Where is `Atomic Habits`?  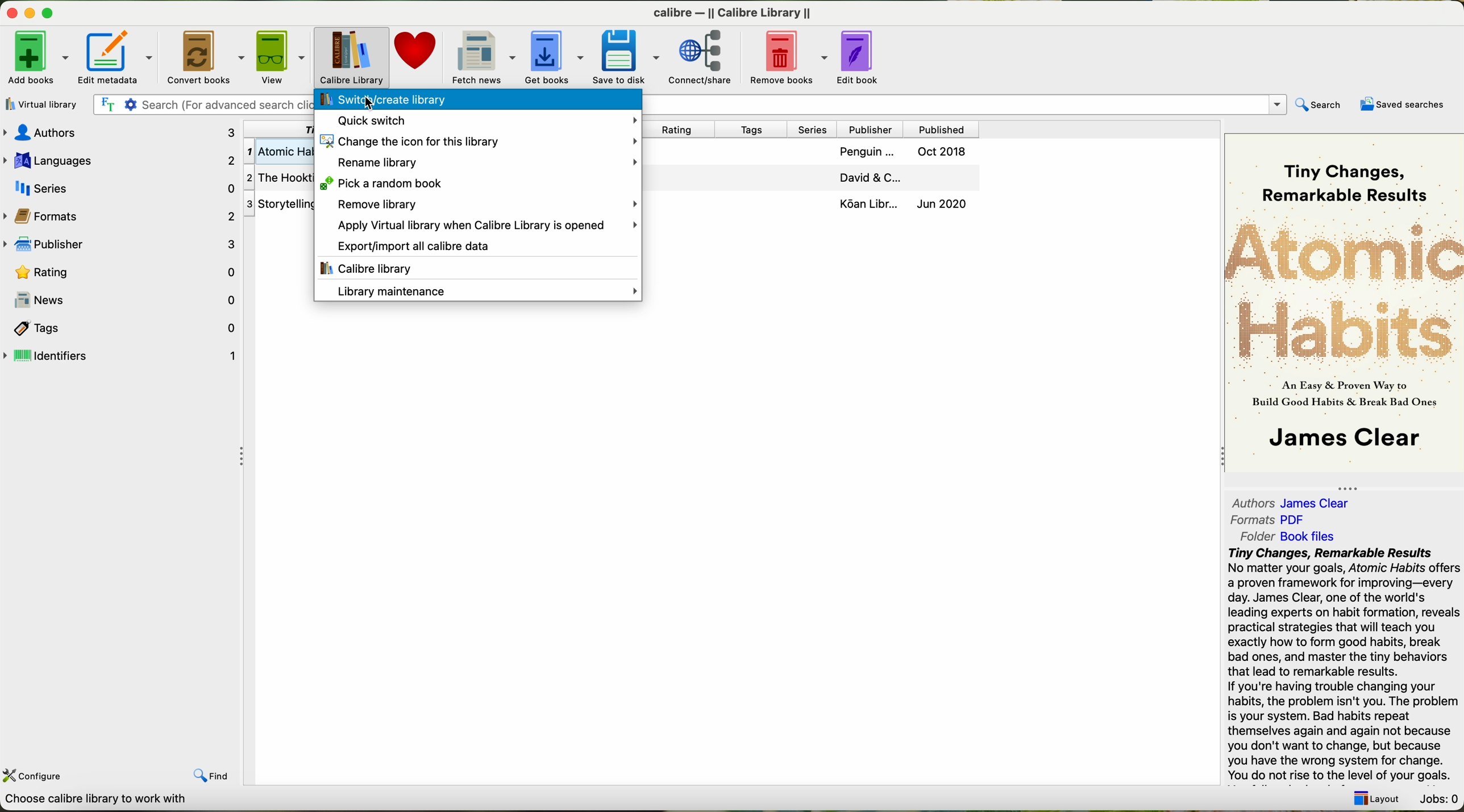
Atomic Habits is located at coordinates (1344, 291).